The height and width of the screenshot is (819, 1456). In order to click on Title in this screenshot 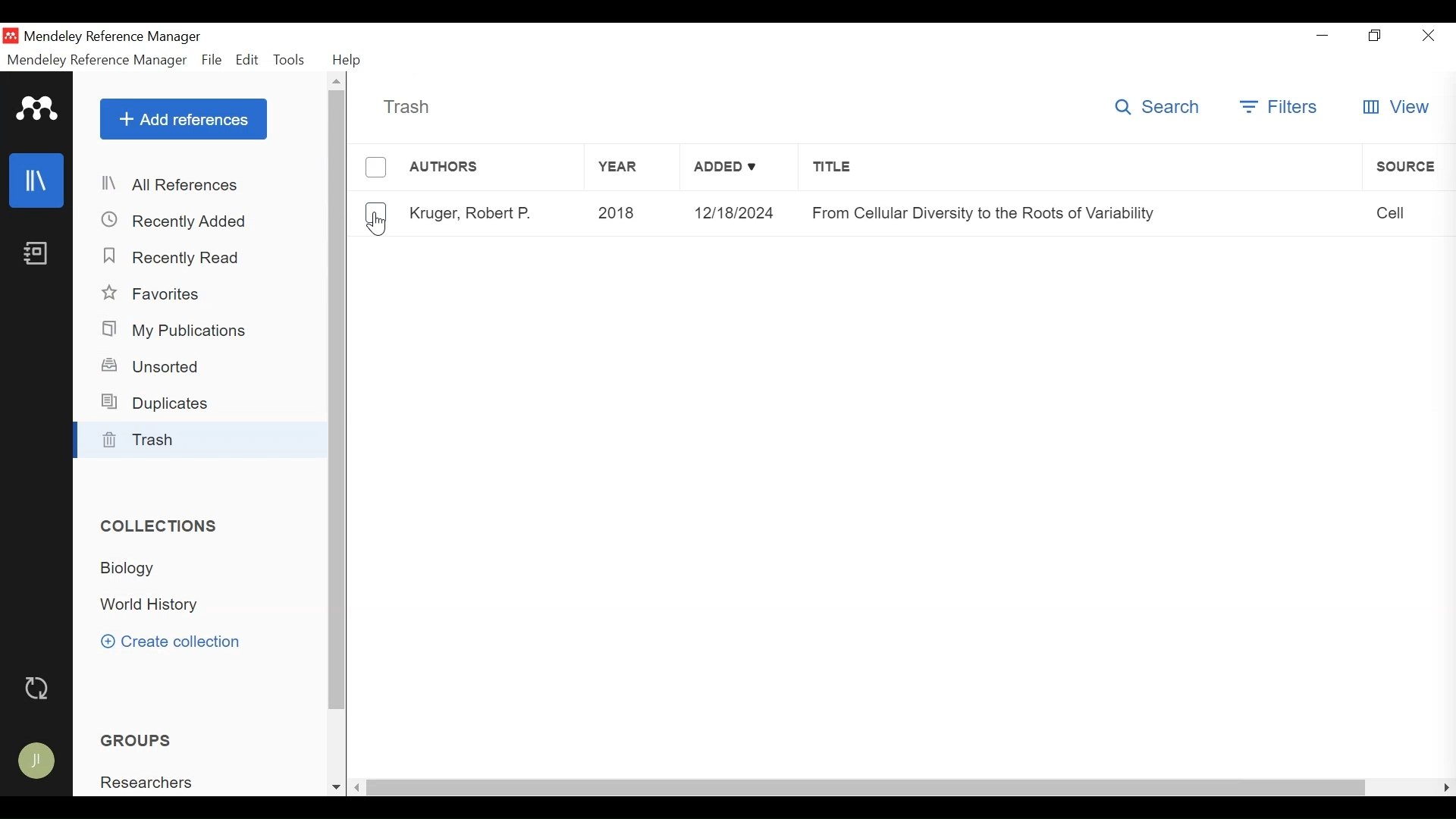, I will do `click(1081, 170)`.